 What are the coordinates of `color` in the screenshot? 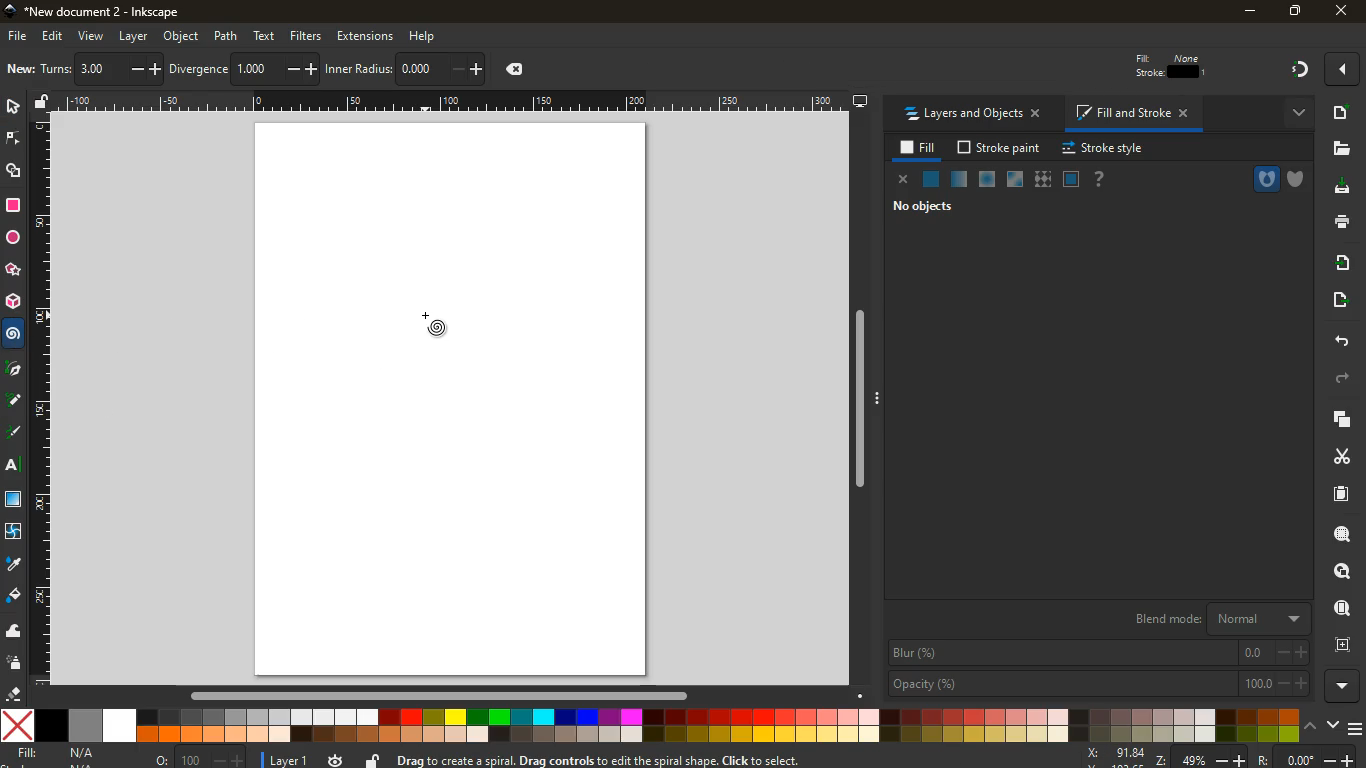 It's located at (649, 726).